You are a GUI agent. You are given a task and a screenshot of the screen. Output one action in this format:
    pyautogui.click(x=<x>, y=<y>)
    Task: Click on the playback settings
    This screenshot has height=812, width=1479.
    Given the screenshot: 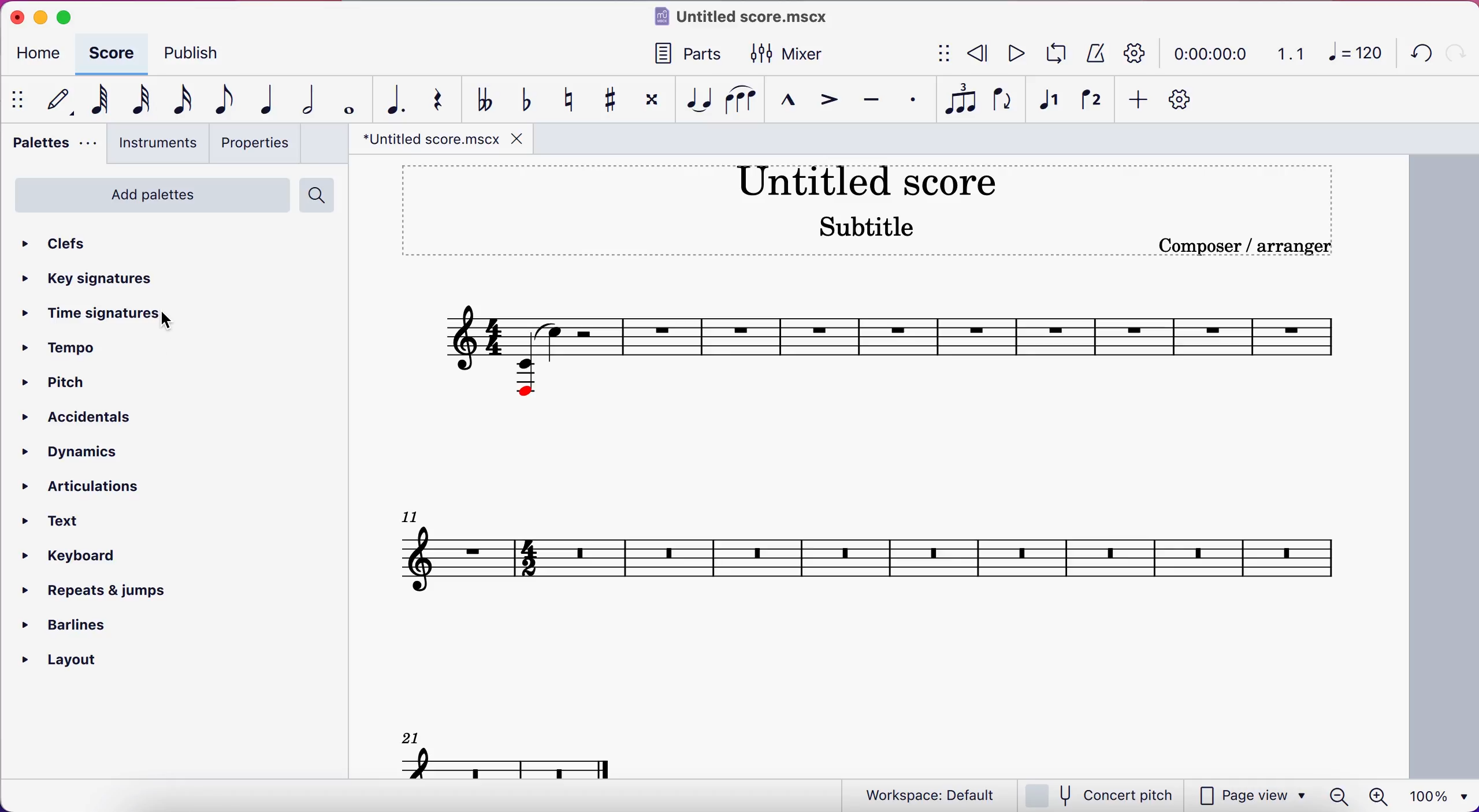 What is the action you would take?
    pyautogui.click(x=1136, y=53)
    